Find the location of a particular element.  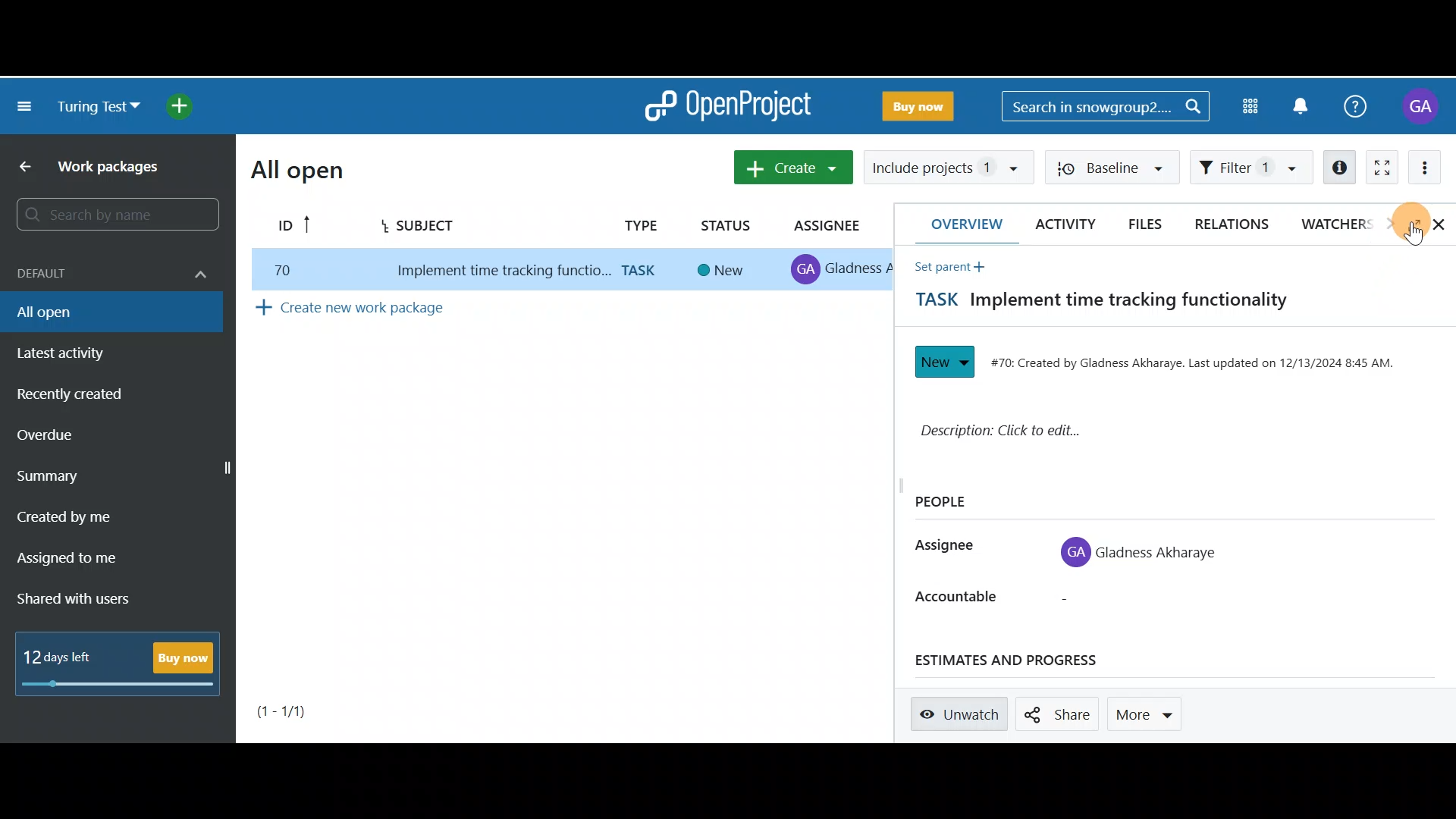

STATUS is located at coordinates (734, 228).